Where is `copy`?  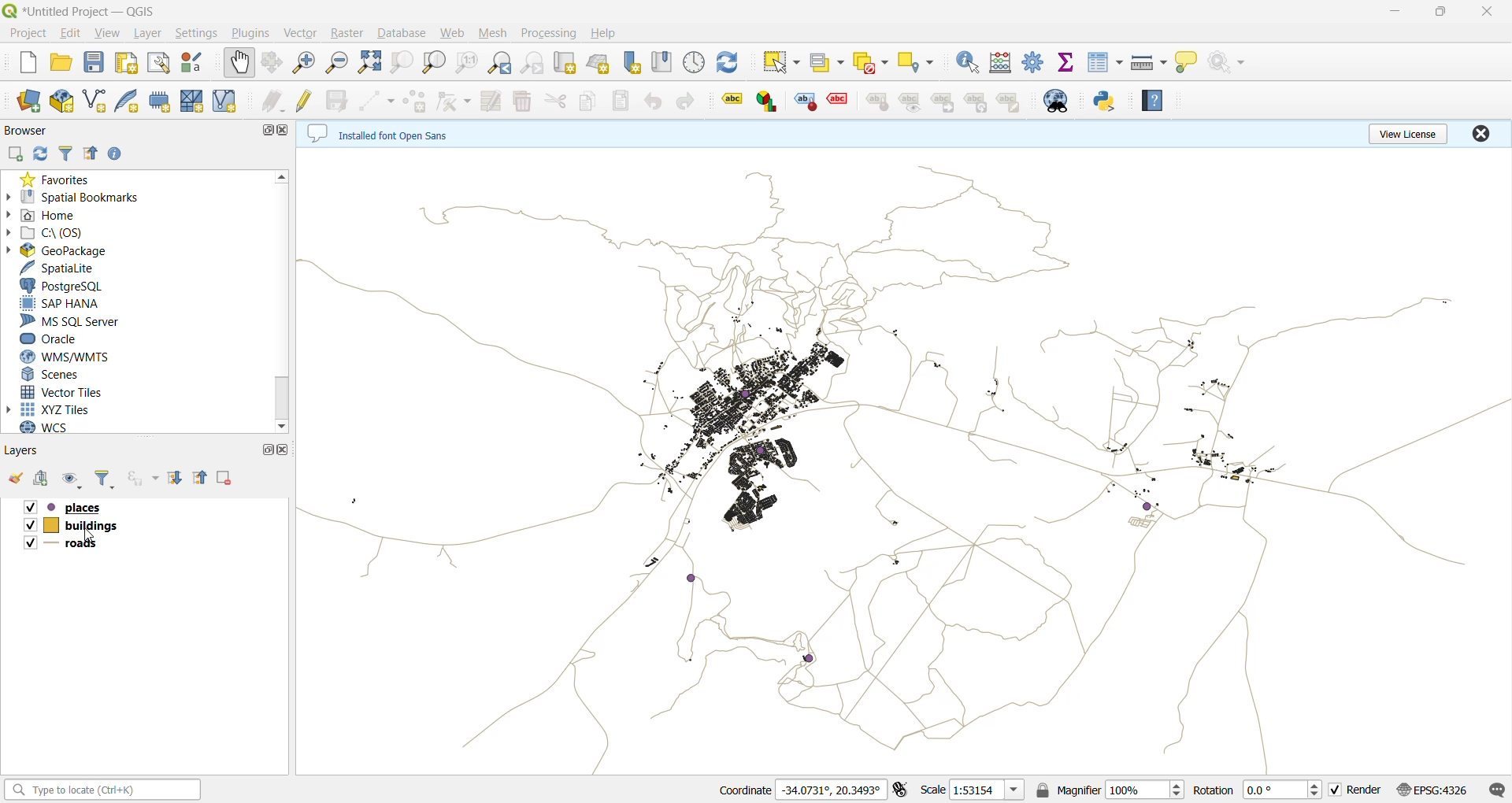 copy is located at coordinates (589, 100).